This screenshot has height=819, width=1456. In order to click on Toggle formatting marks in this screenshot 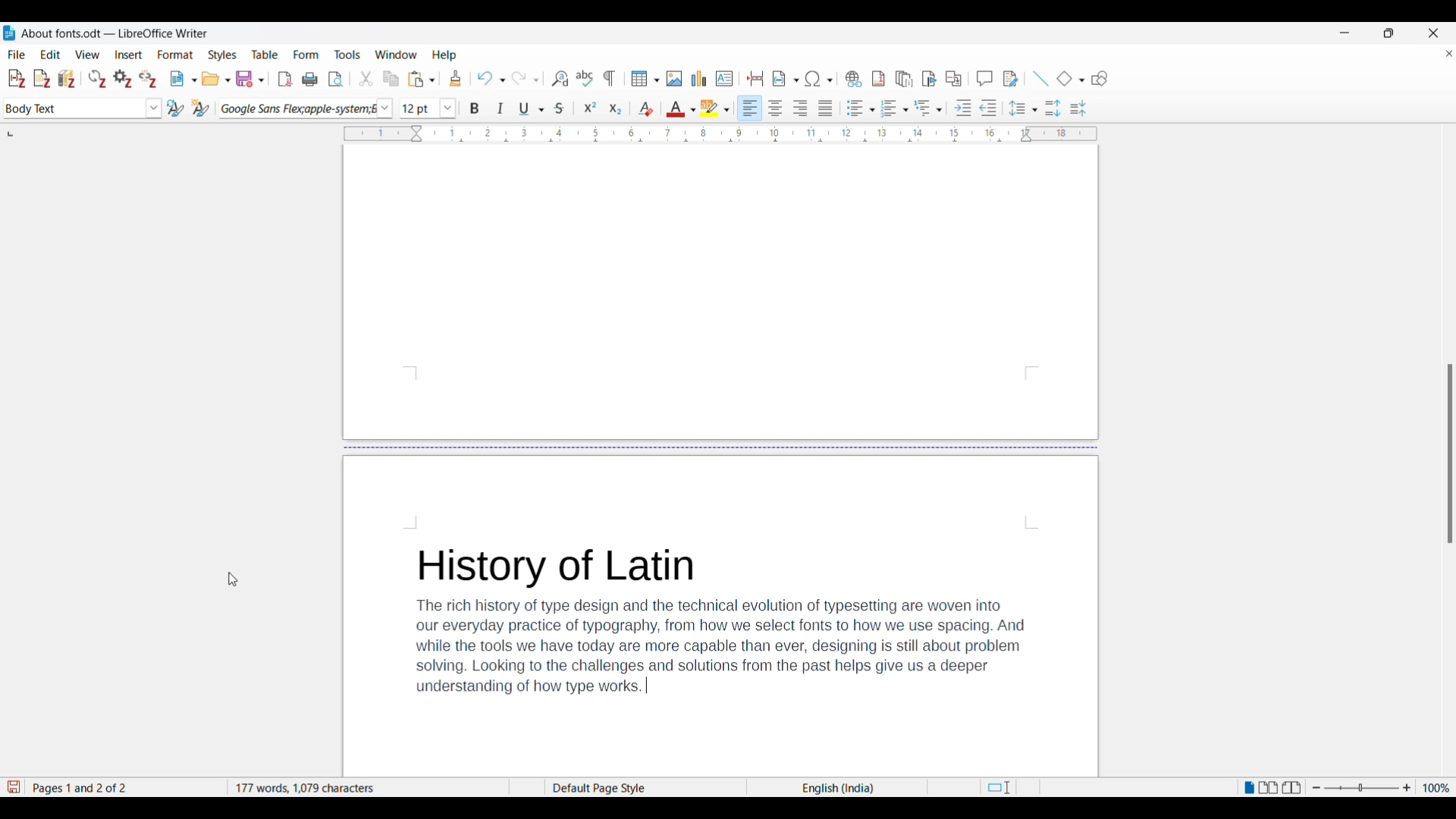, I will do `click(610, 78)`.